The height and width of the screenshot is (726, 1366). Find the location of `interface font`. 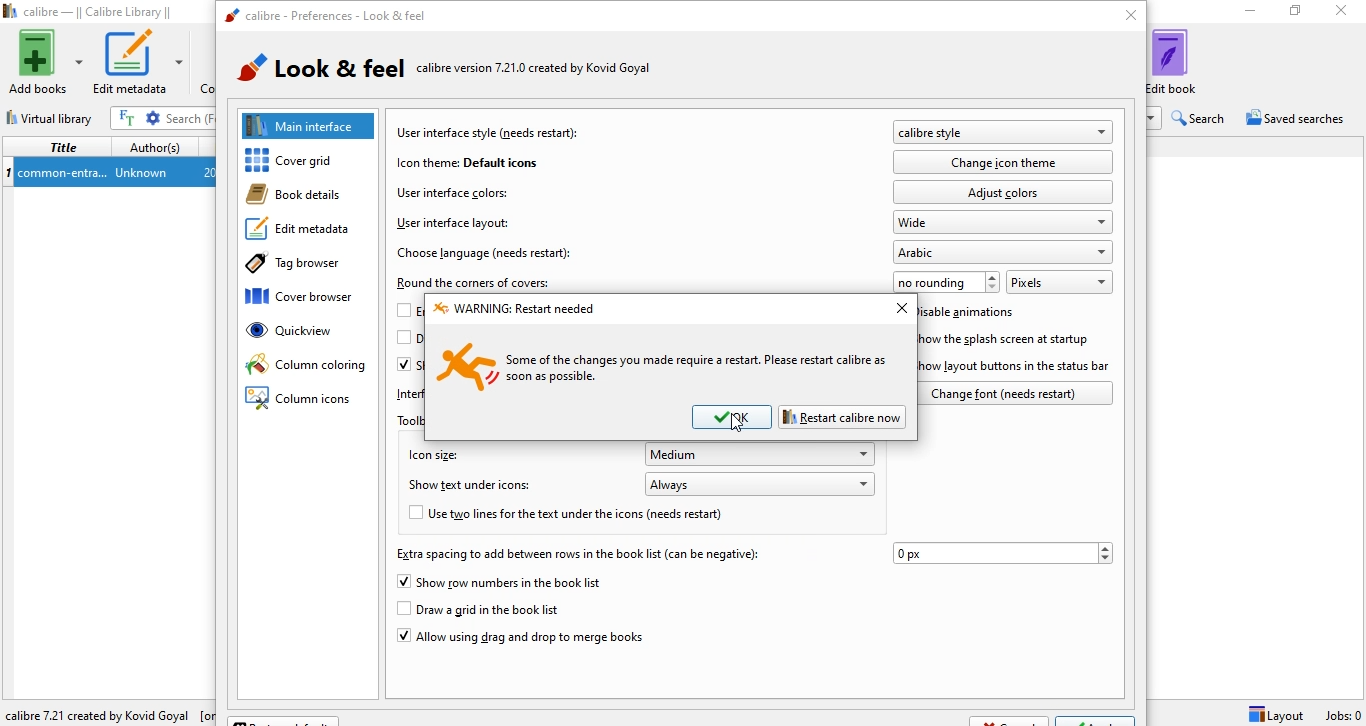

interface font is located at coordinates (407, 393).